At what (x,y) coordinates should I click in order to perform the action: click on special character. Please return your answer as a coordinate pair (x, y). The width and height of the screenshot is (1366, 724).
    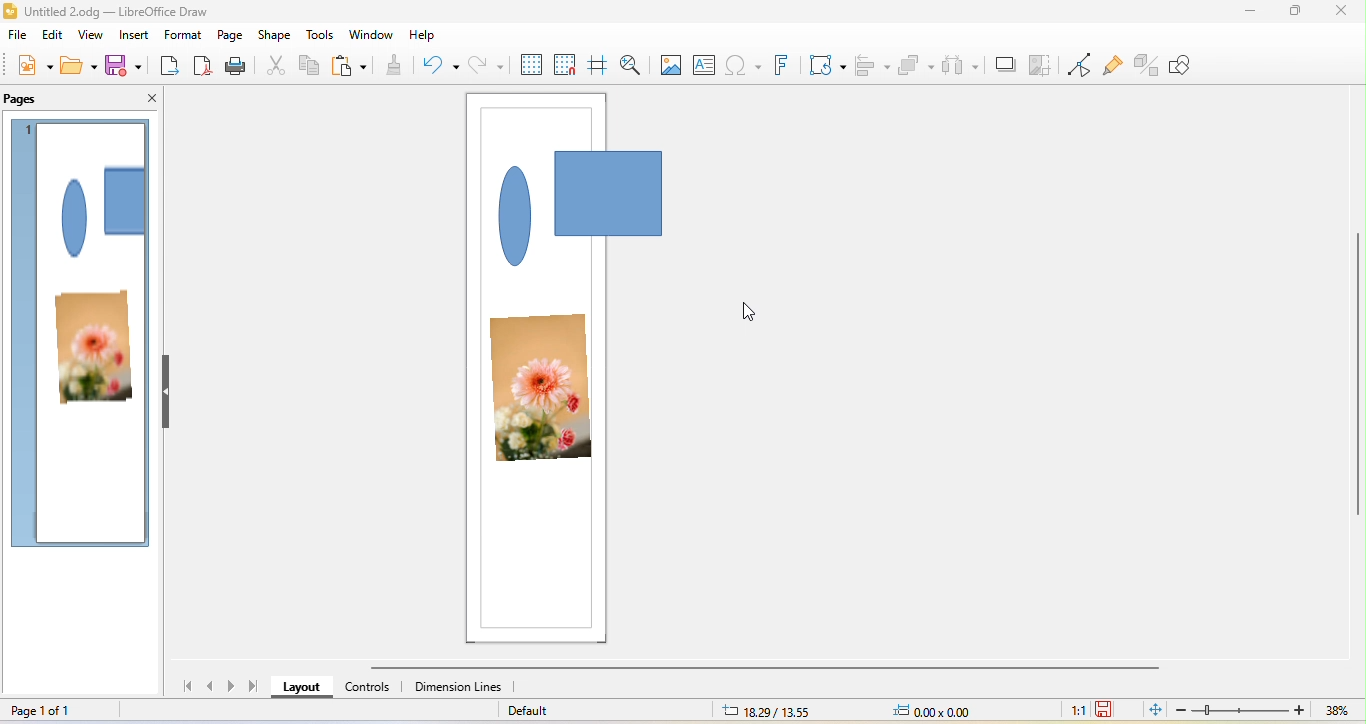
    Looking at the image, I should click on (745, 66).